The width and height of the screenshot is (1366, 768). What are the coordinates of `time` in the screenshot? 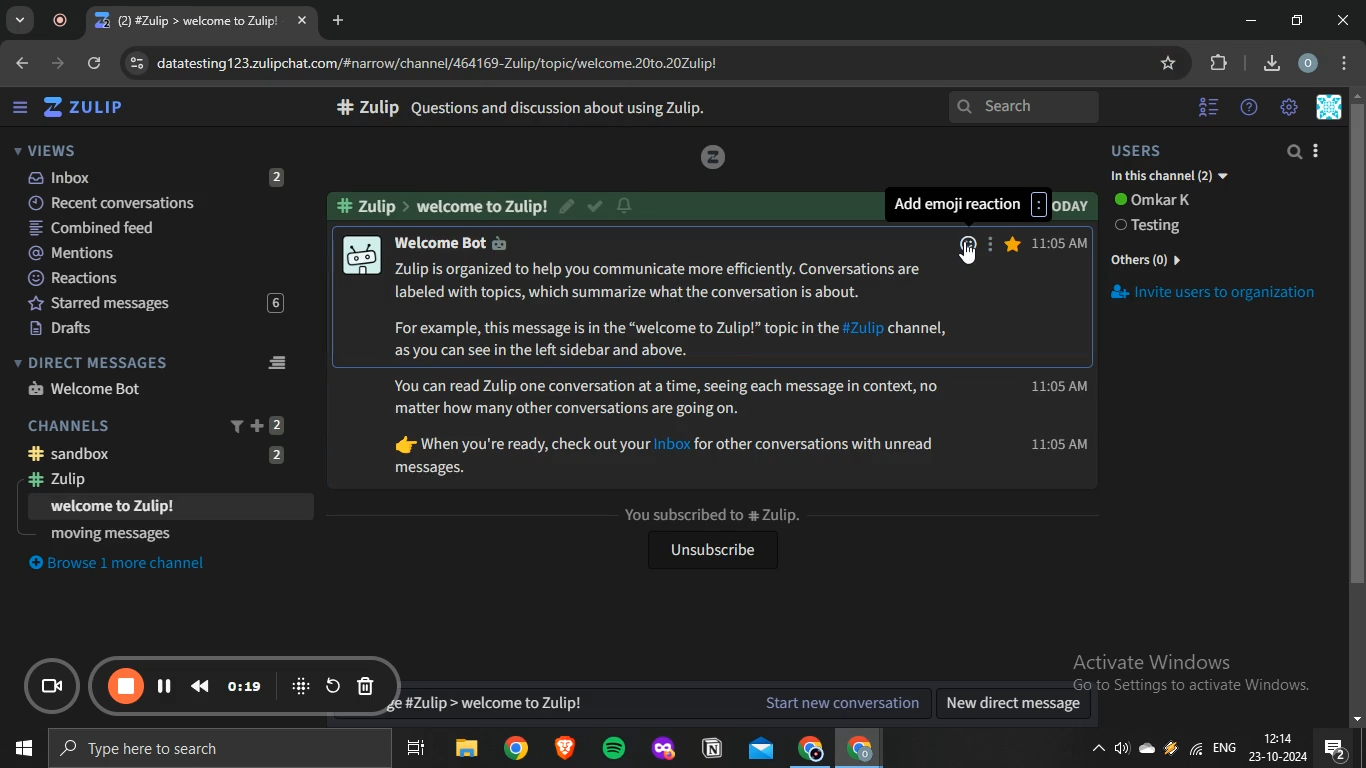 It's located at (1058, 358).